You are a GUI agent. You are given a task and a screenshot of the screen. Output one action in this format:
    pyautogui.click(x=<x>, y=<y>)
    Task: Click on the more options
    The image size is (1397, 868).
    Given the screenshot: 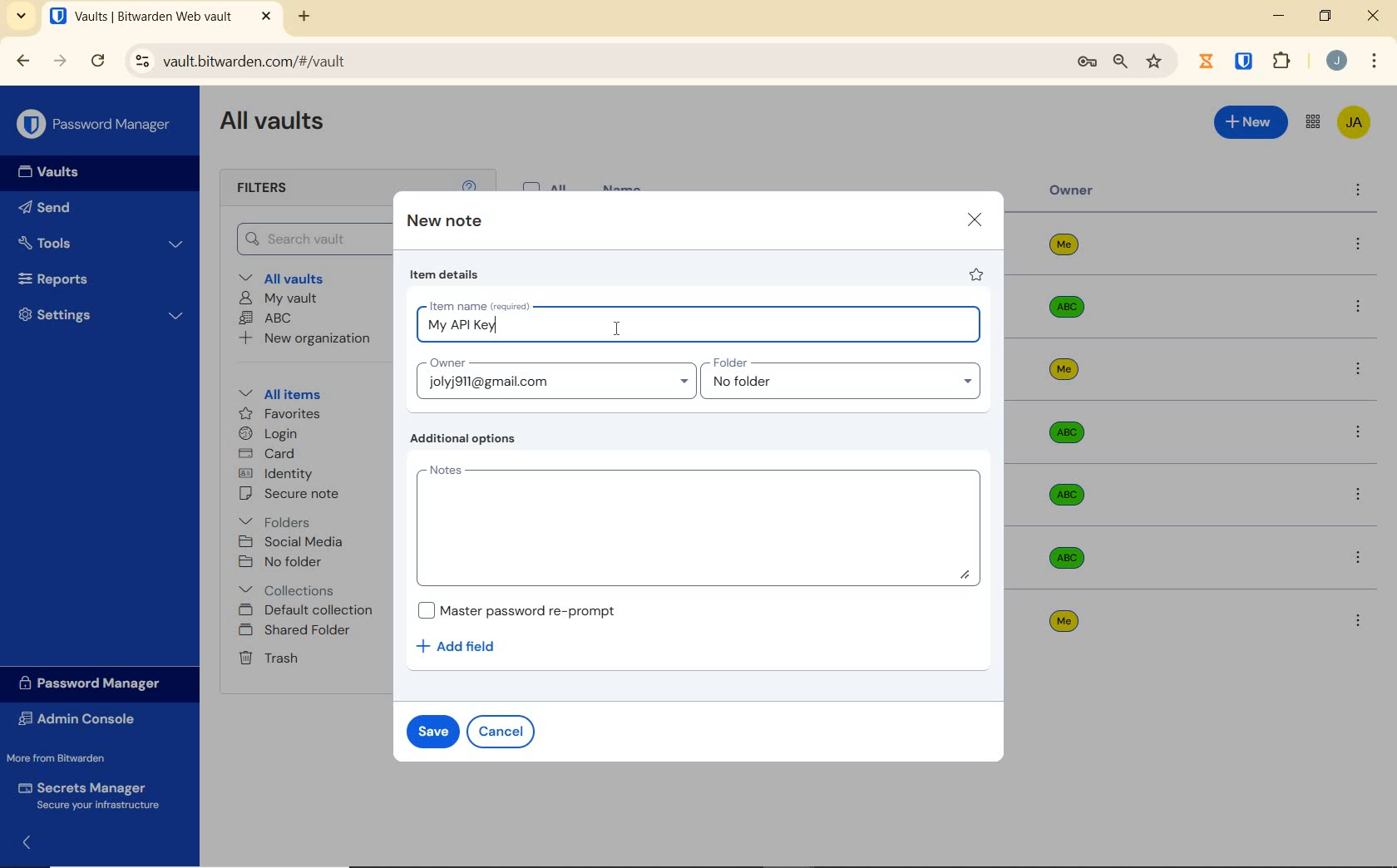 What is the action you would take?
    pyautogui.click(x=1358, y=192)
    